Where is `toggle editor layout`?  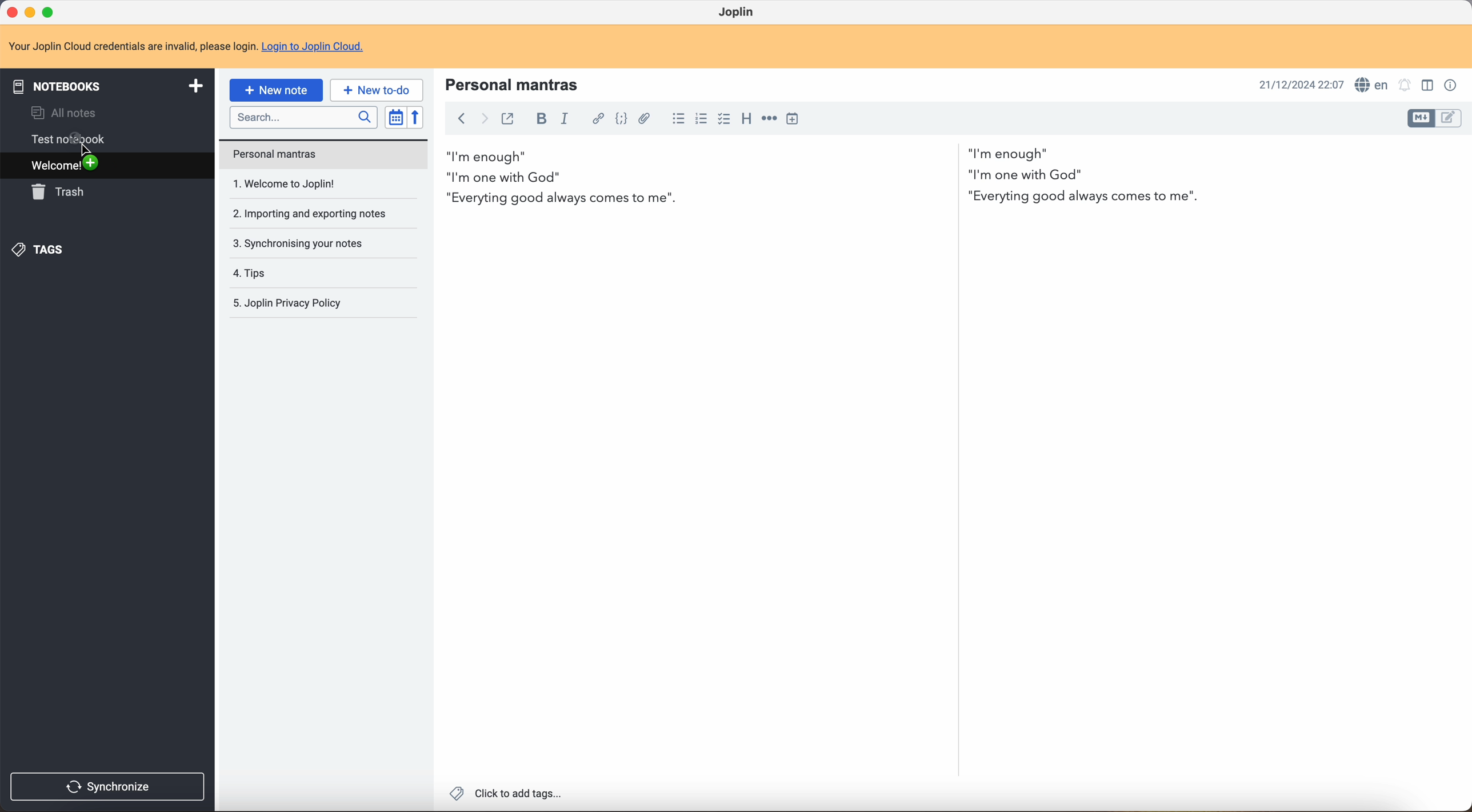
toggle editor layout is located at coordinates (1430, 85).